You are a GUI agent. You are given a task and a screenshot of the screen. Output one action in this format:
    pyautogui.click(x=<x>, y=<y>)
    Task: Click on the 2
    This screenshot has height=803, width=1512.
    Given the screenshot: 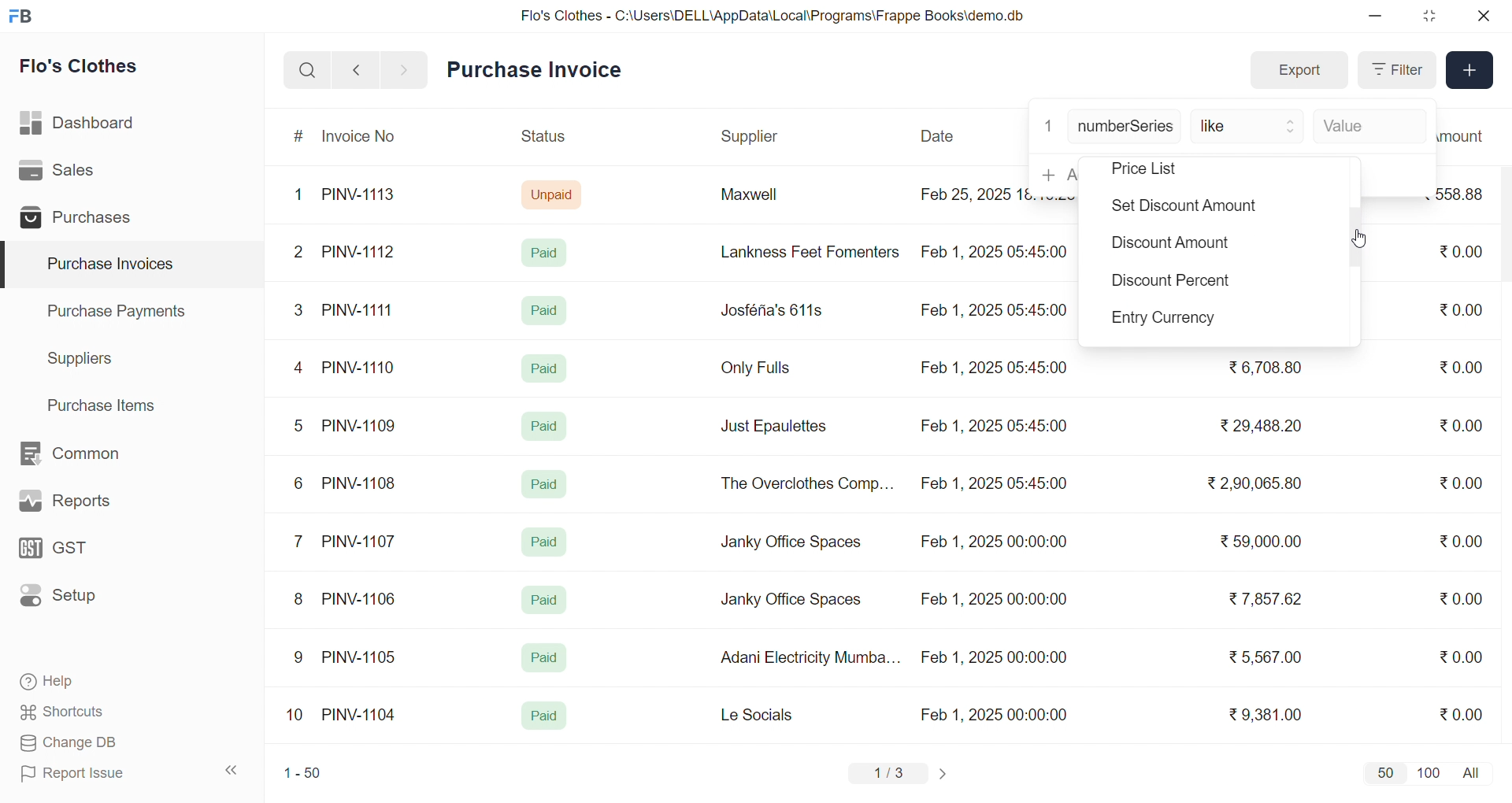 What is the action you would take?
    pyautogui.click(x=301, y=254)
    